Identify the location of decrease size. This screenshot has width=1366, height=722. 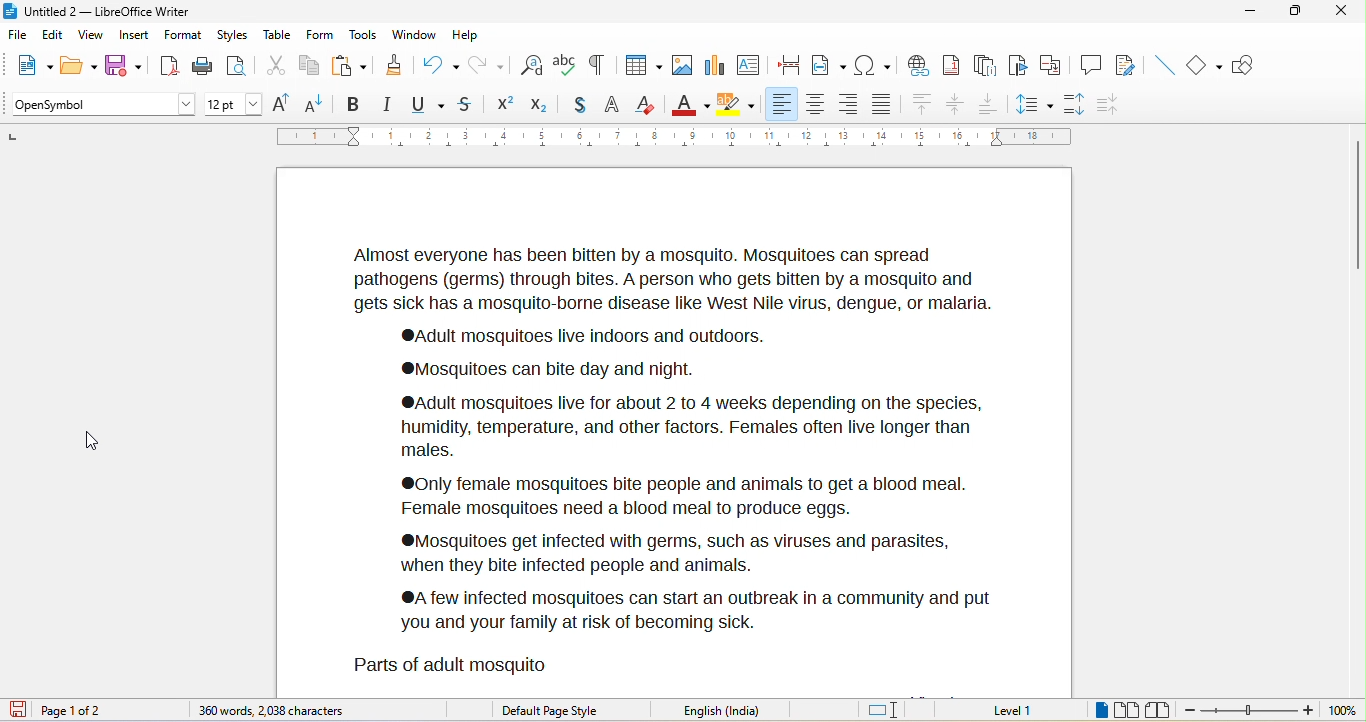
(315, 103).